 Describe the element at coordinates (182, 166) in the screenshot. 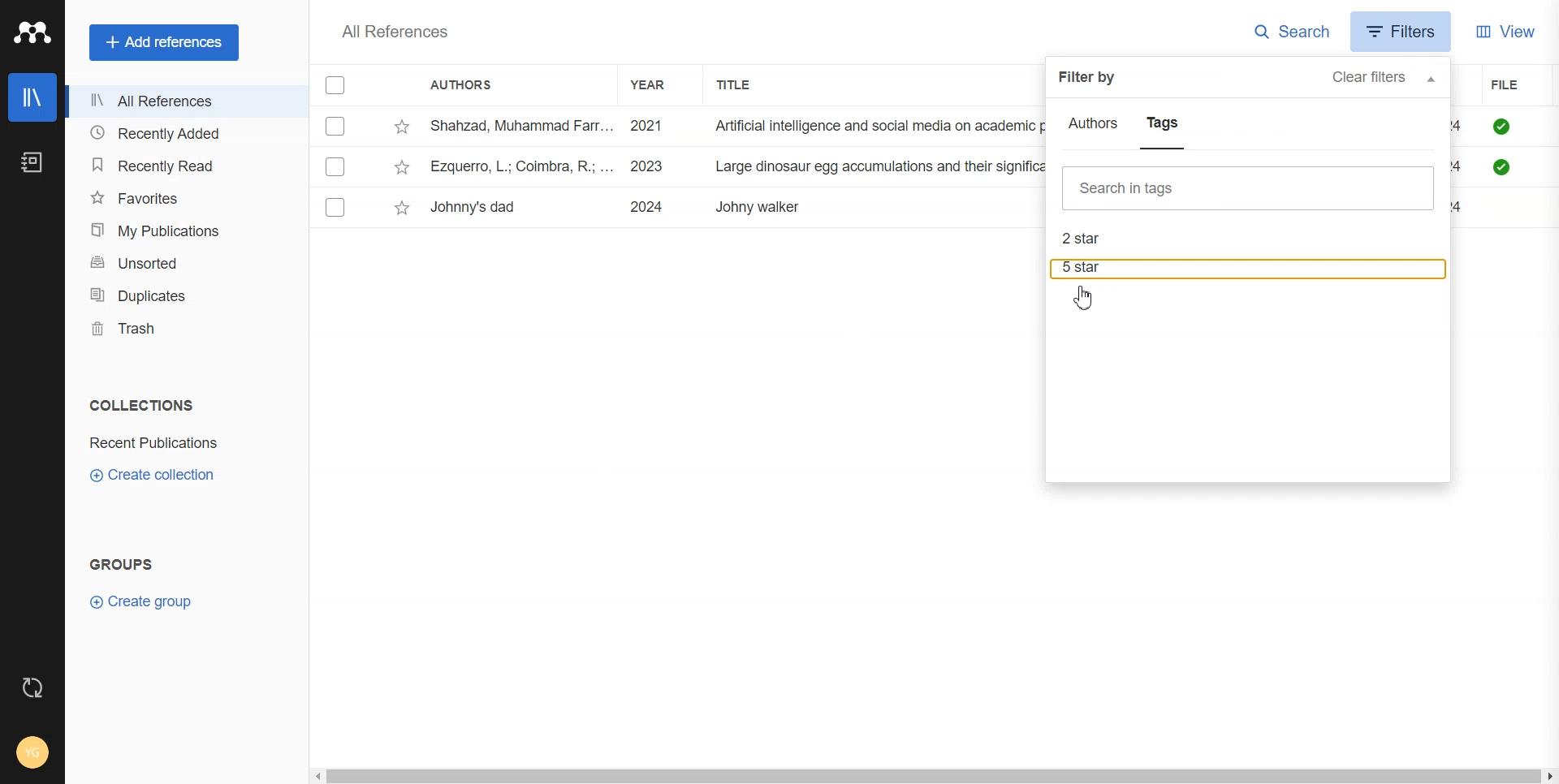

I see `Recently Read` at that location.